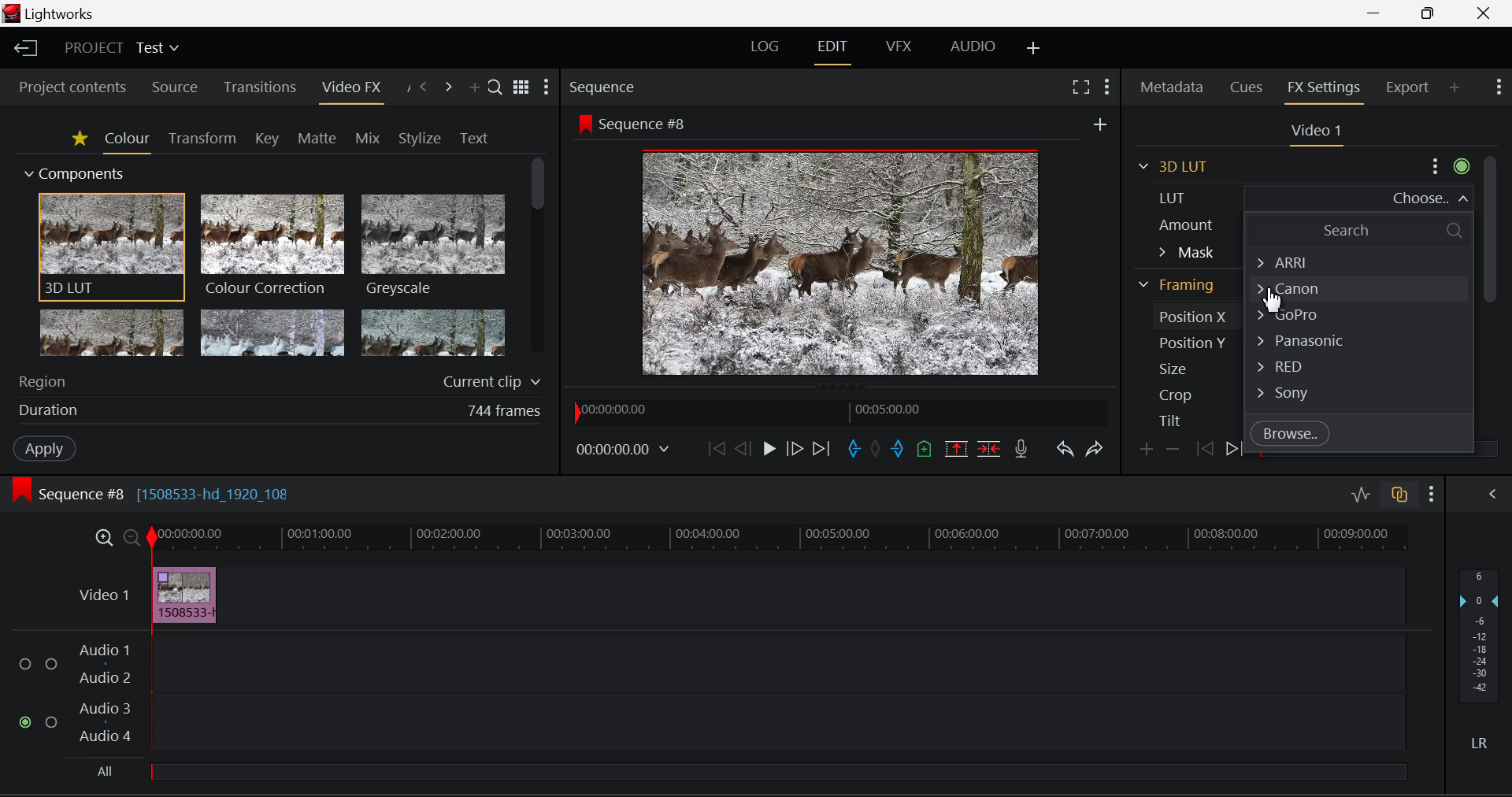  I want to click on Colour Correction, so click(273, 246).